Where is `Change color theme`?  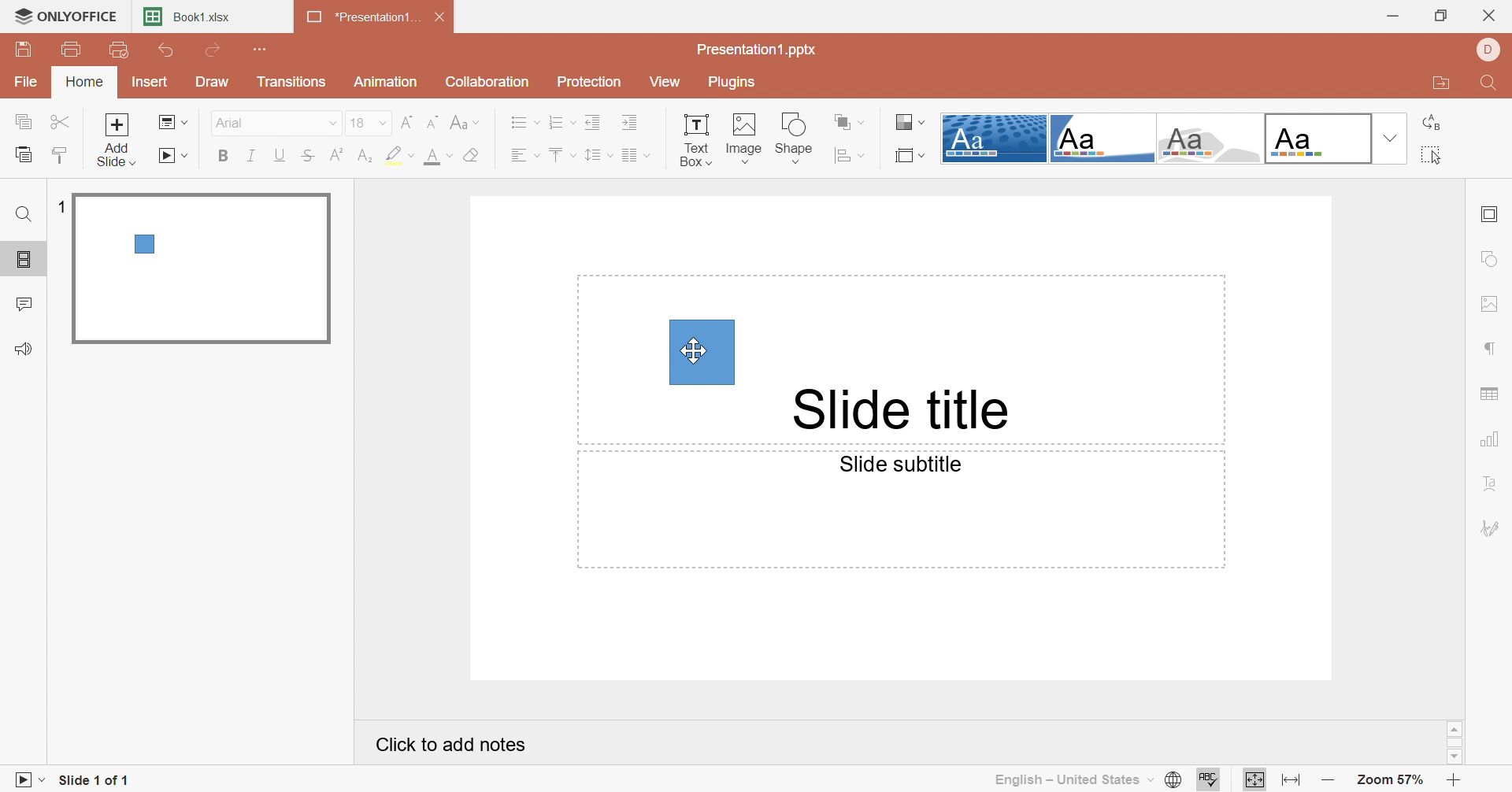
Change color theme is located at coordinates (913, 121).